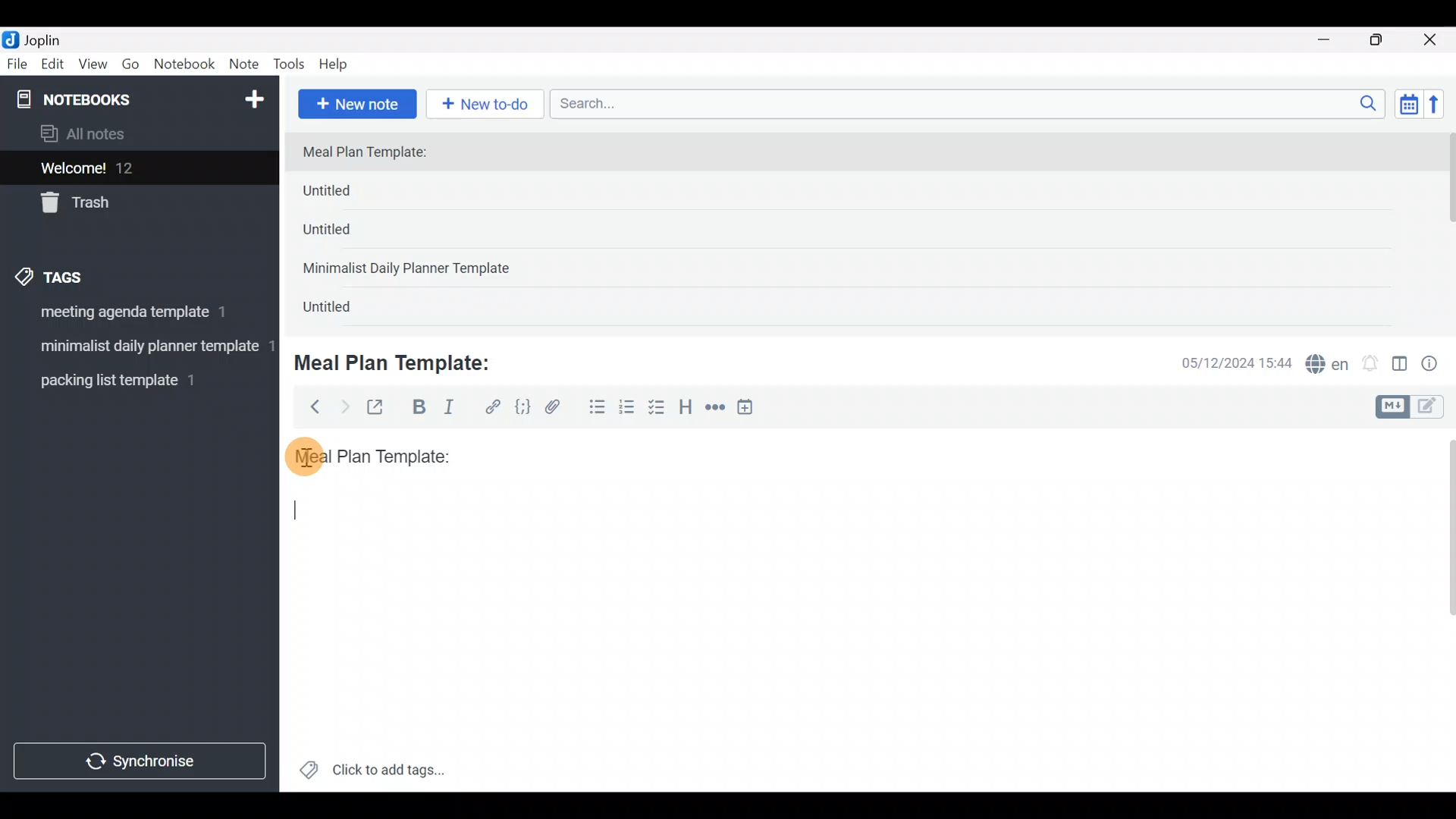  Describe the element at coordinates (52, 38) in the screenshot. I see `Joplin` at that location.